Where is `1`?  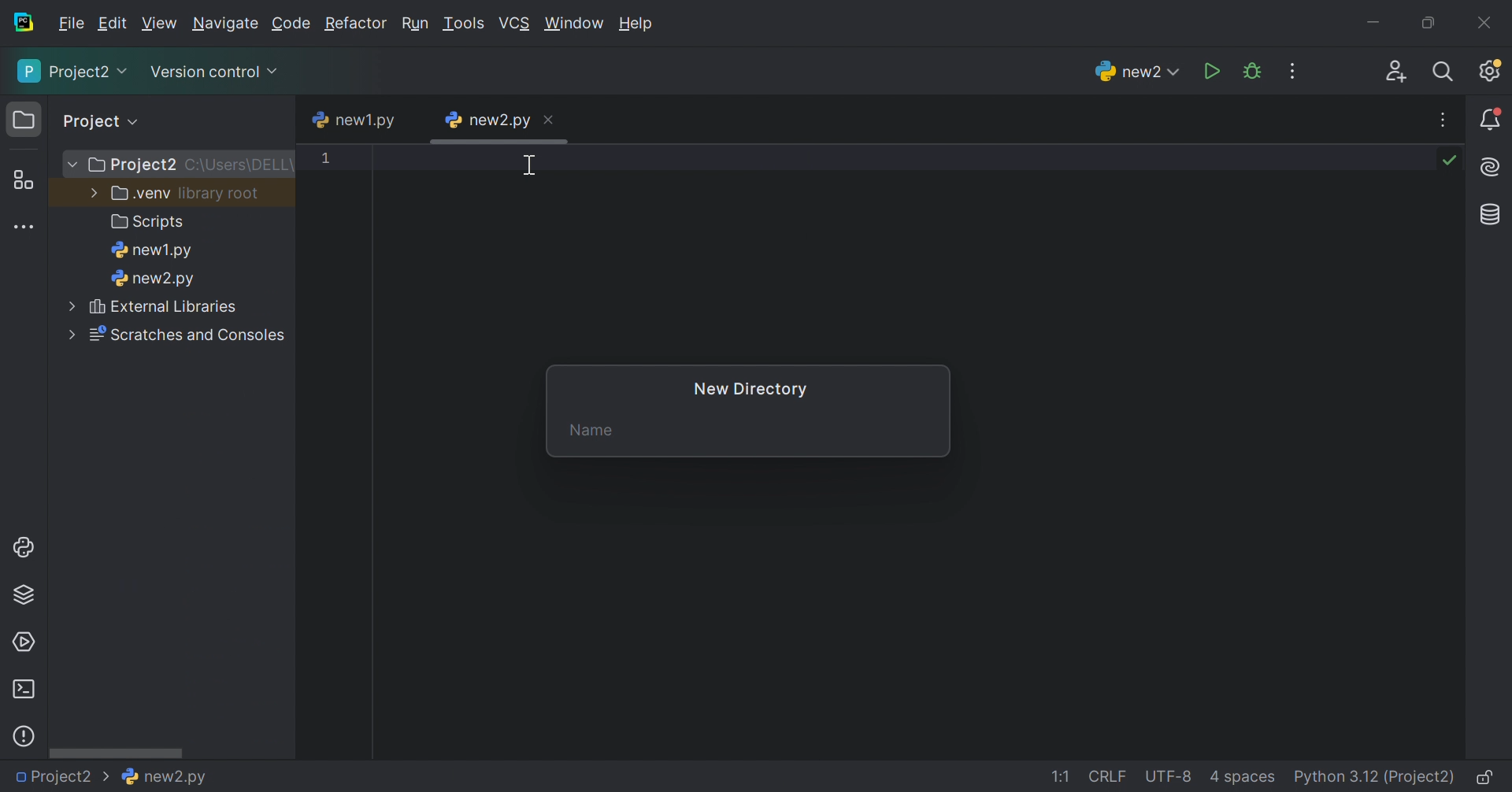
1 is located at coordinates (333, 165).